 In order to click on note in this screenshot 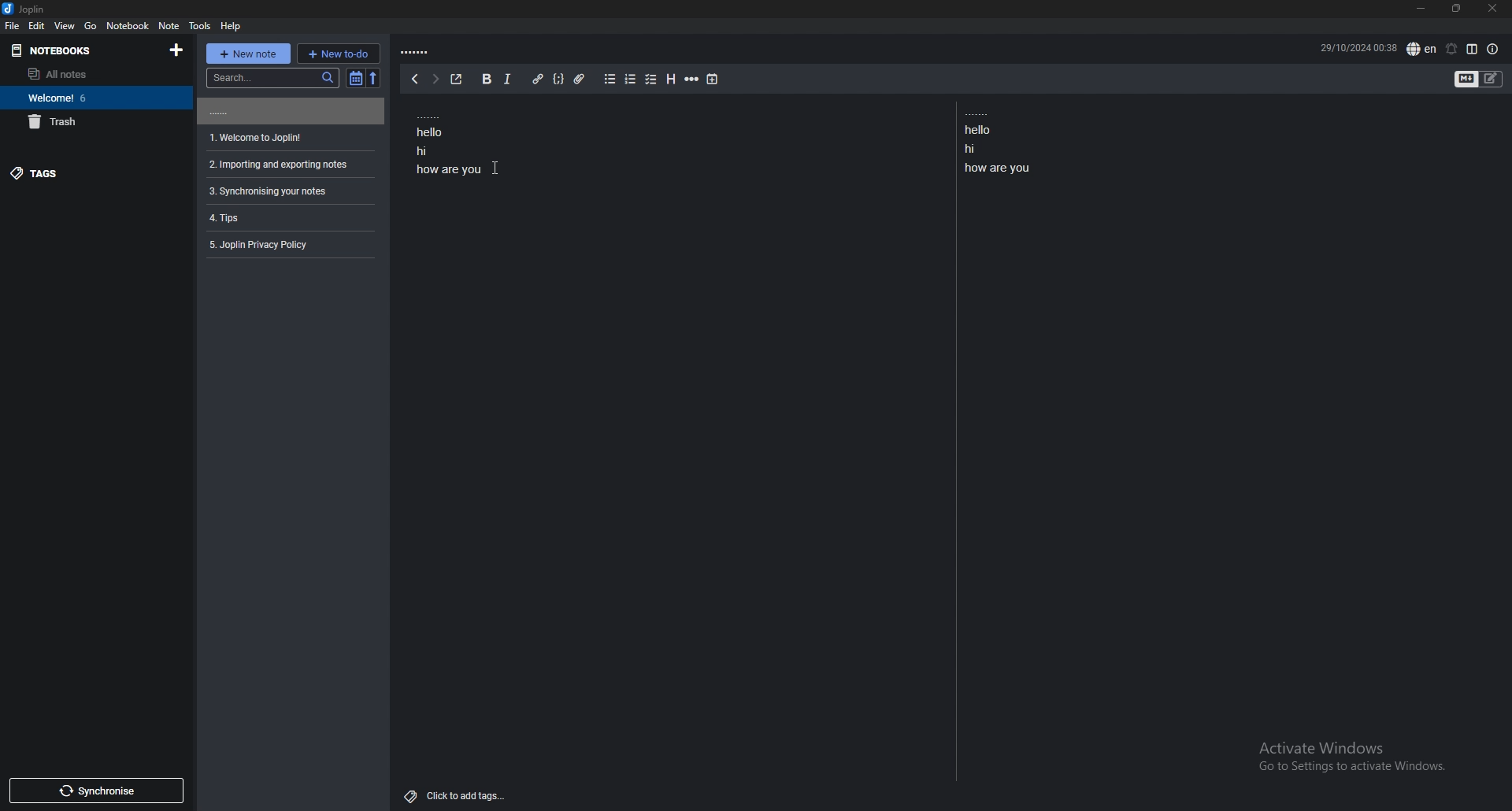, I will do `click(288, 138)`.